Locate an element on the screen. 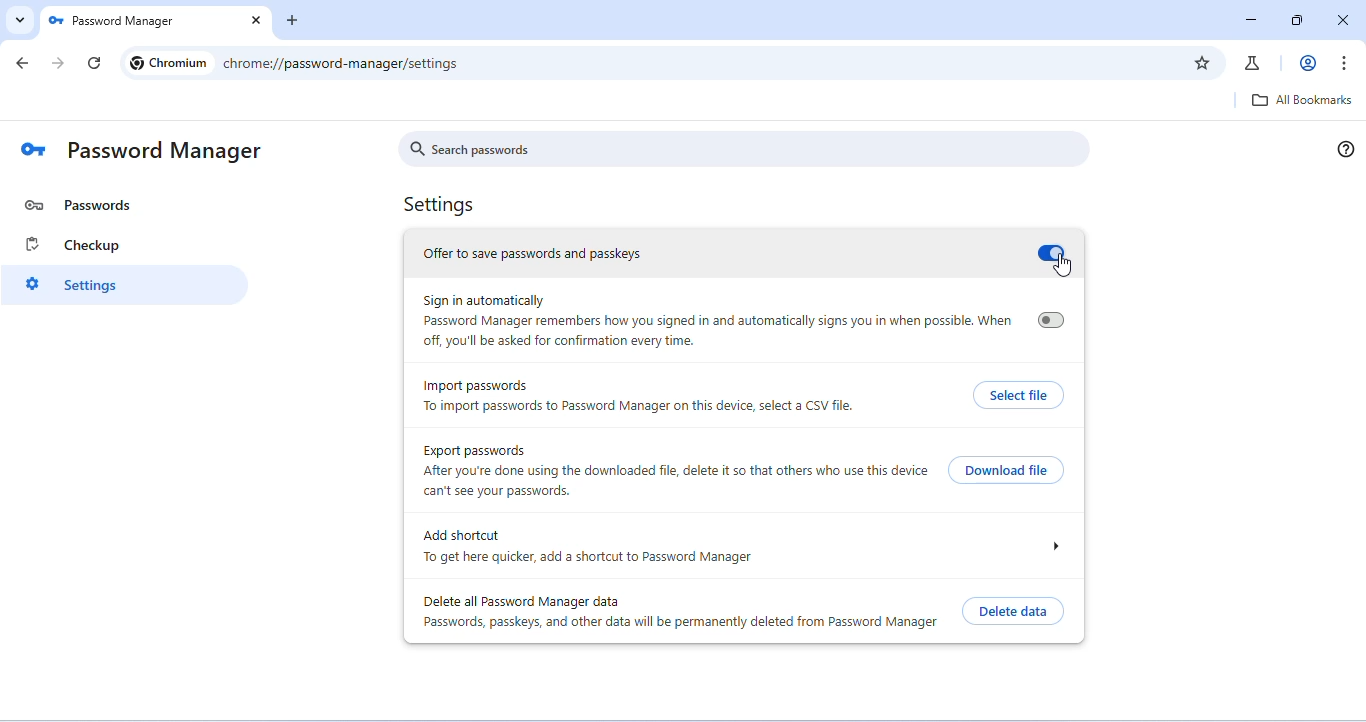 The image size is (1366, 722). cursor is located at coordinates (1063, 265).